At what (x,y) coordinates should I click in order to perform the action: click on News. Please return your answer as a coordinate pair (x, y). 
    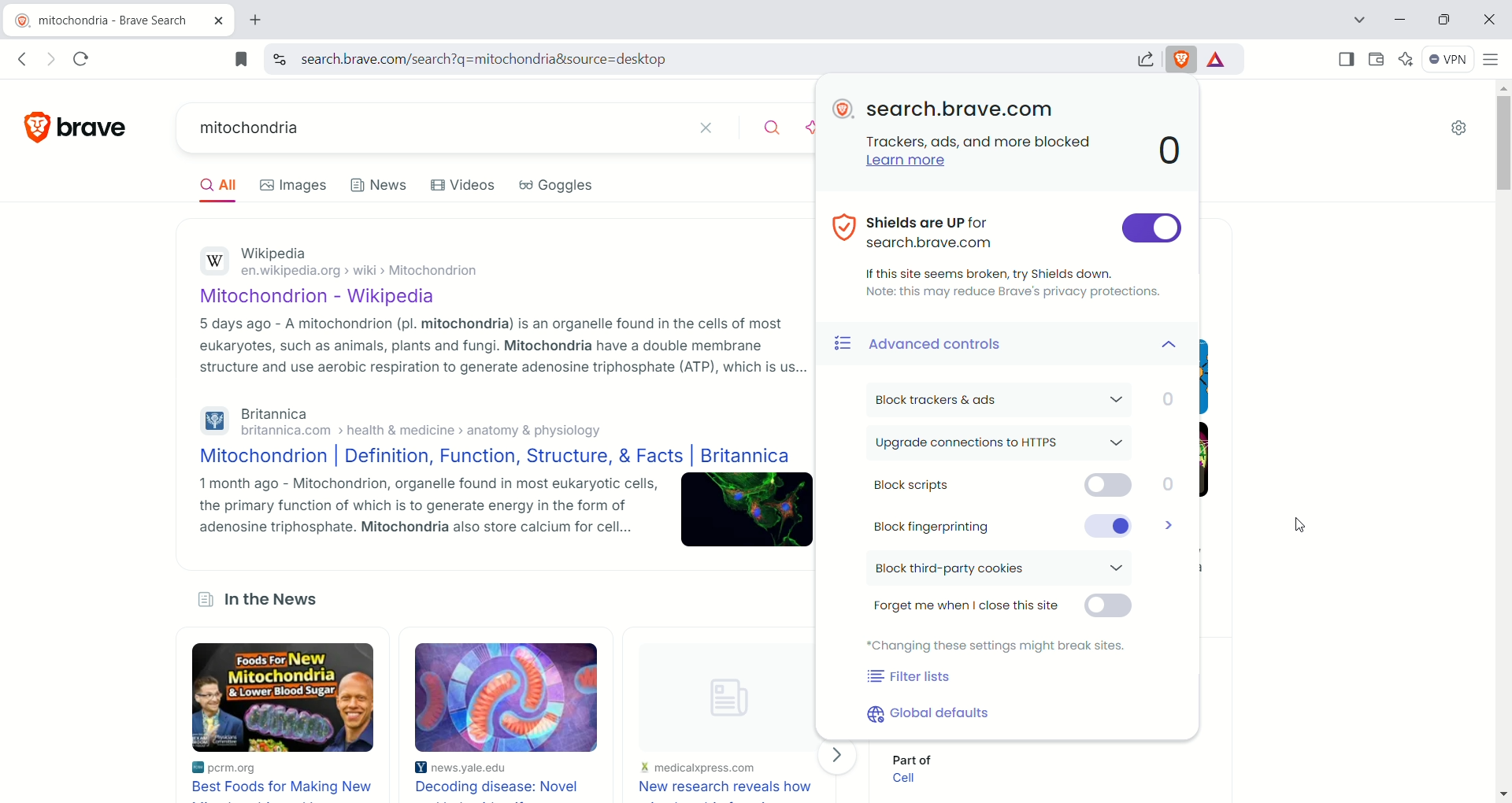
    Looking at the image, I should click on (381, 185).